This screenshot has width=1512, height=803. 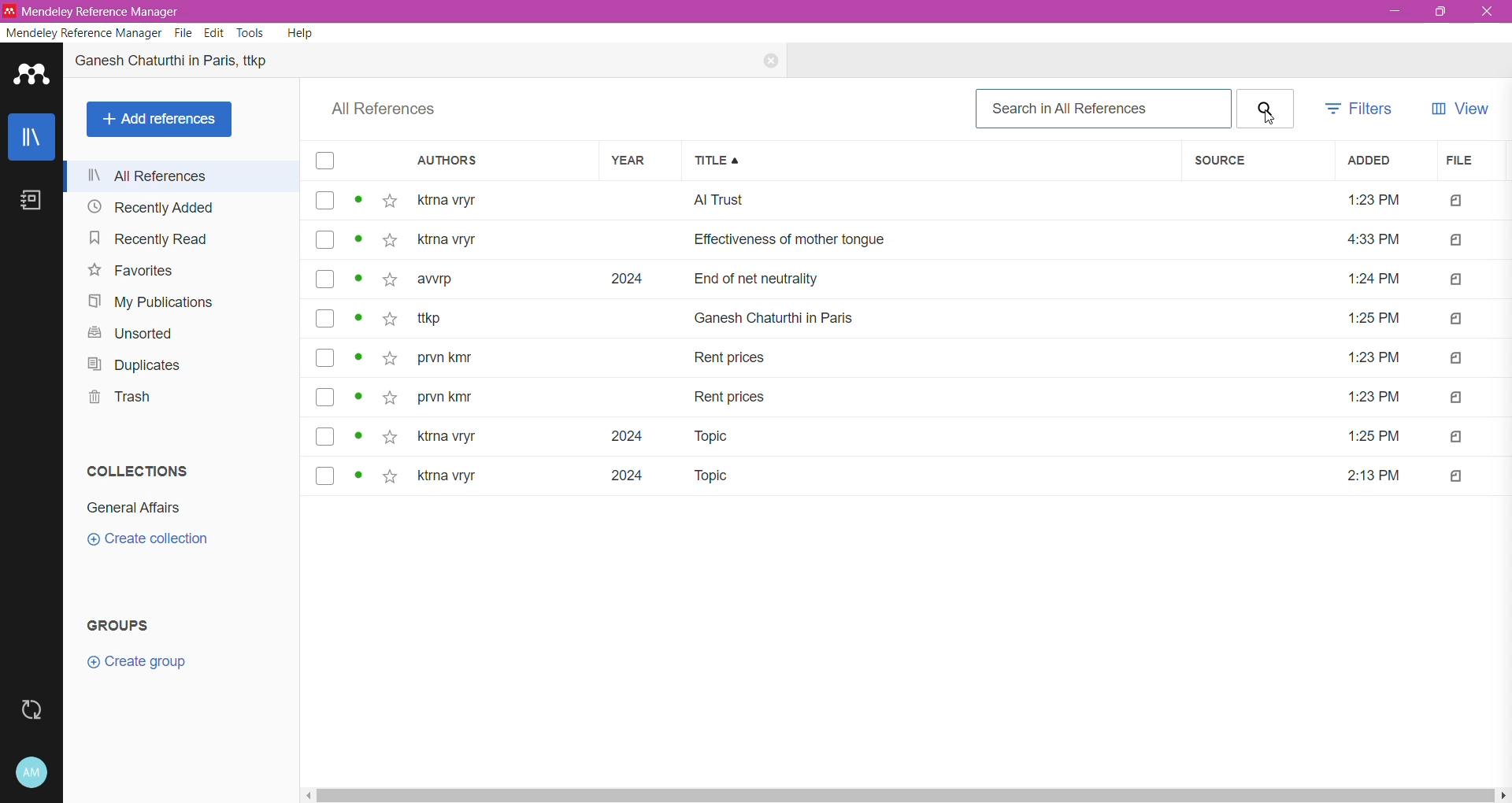 I want to click on Library, so click(x=31, y=137).